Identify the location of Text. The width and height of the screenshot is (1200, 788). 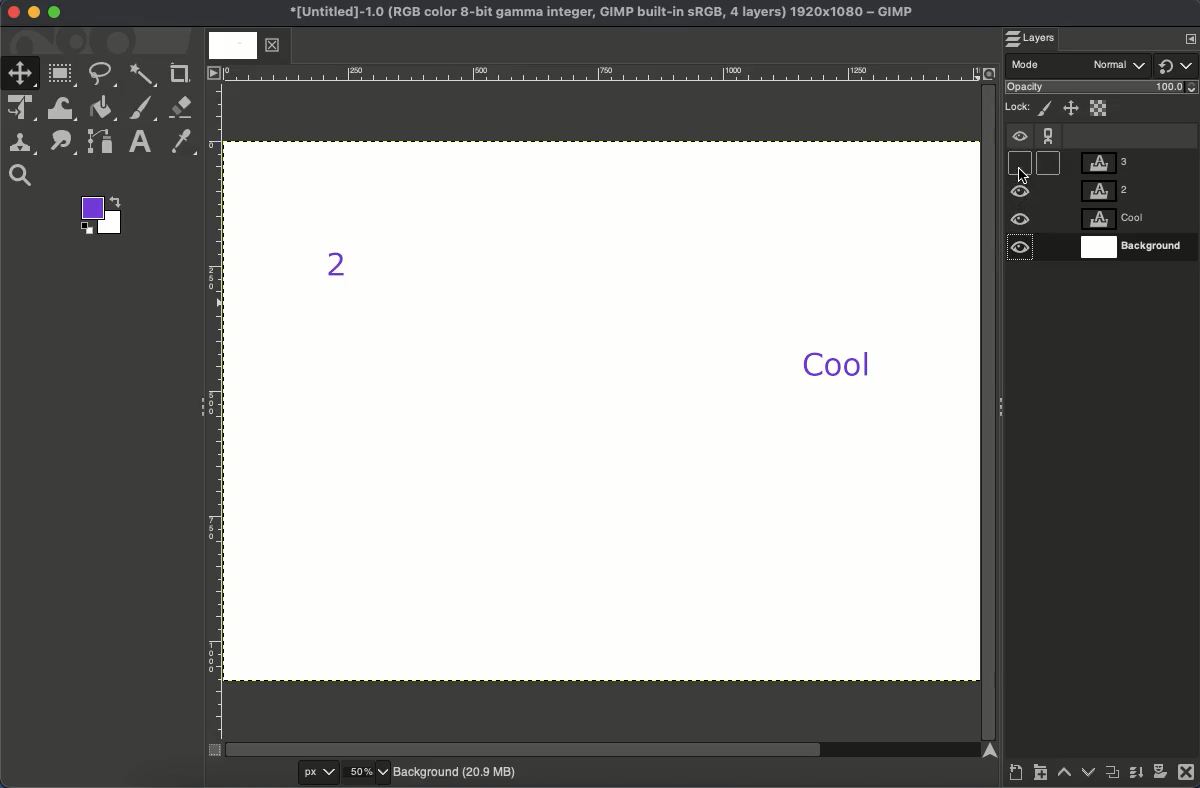
(142, 141).